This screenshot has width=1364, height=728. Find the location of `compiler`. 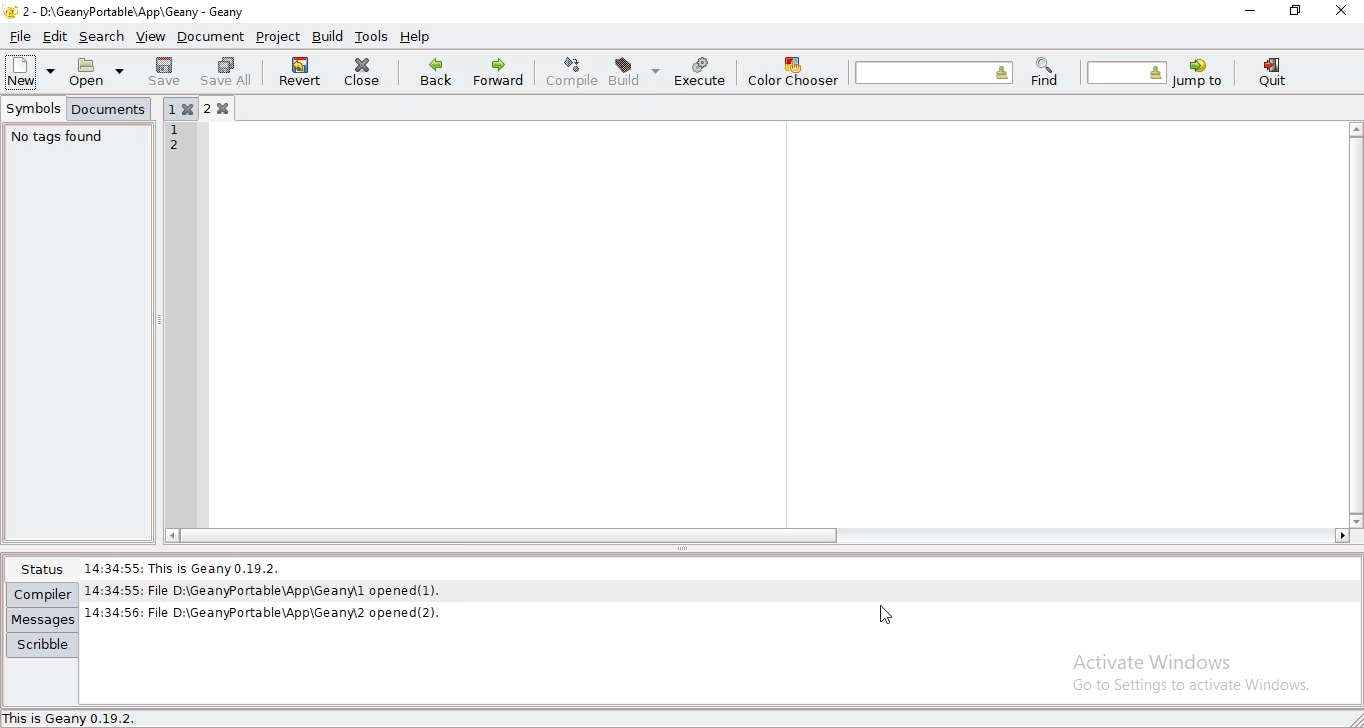

compiler is located at coordinates (41, 594).